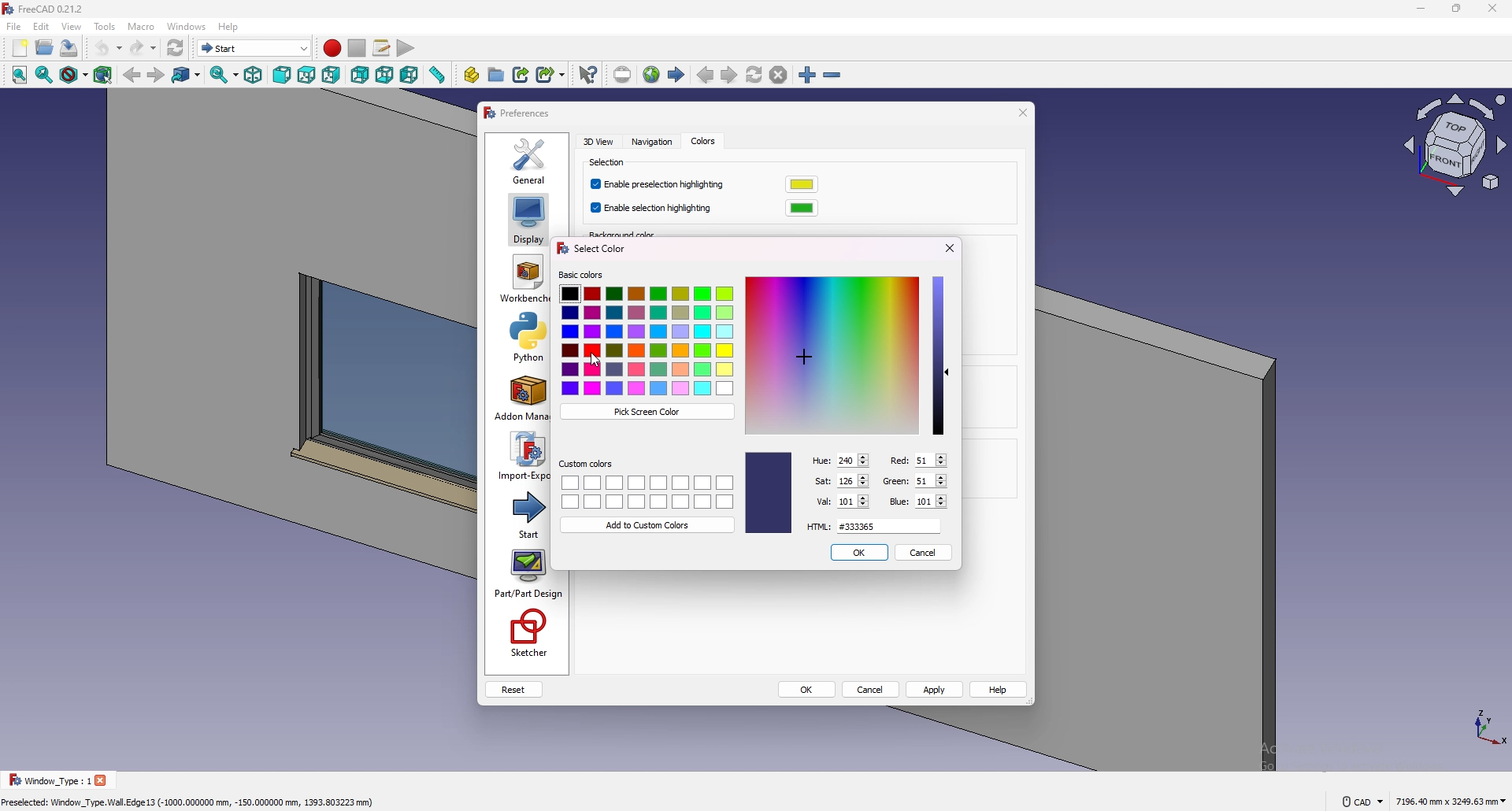 The image size is (1512, 811). I want to click on redo, so click(143, 48).